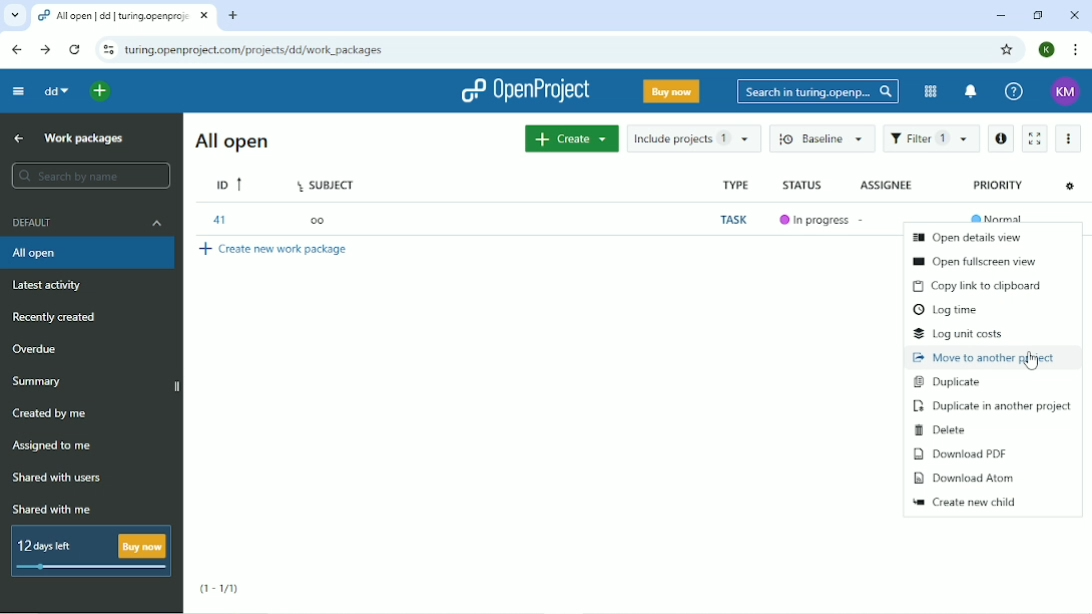  What do you see at coordinates (1070, 187) in the screenshot?
I see `Configure view` at bounding box center [1070, 187].